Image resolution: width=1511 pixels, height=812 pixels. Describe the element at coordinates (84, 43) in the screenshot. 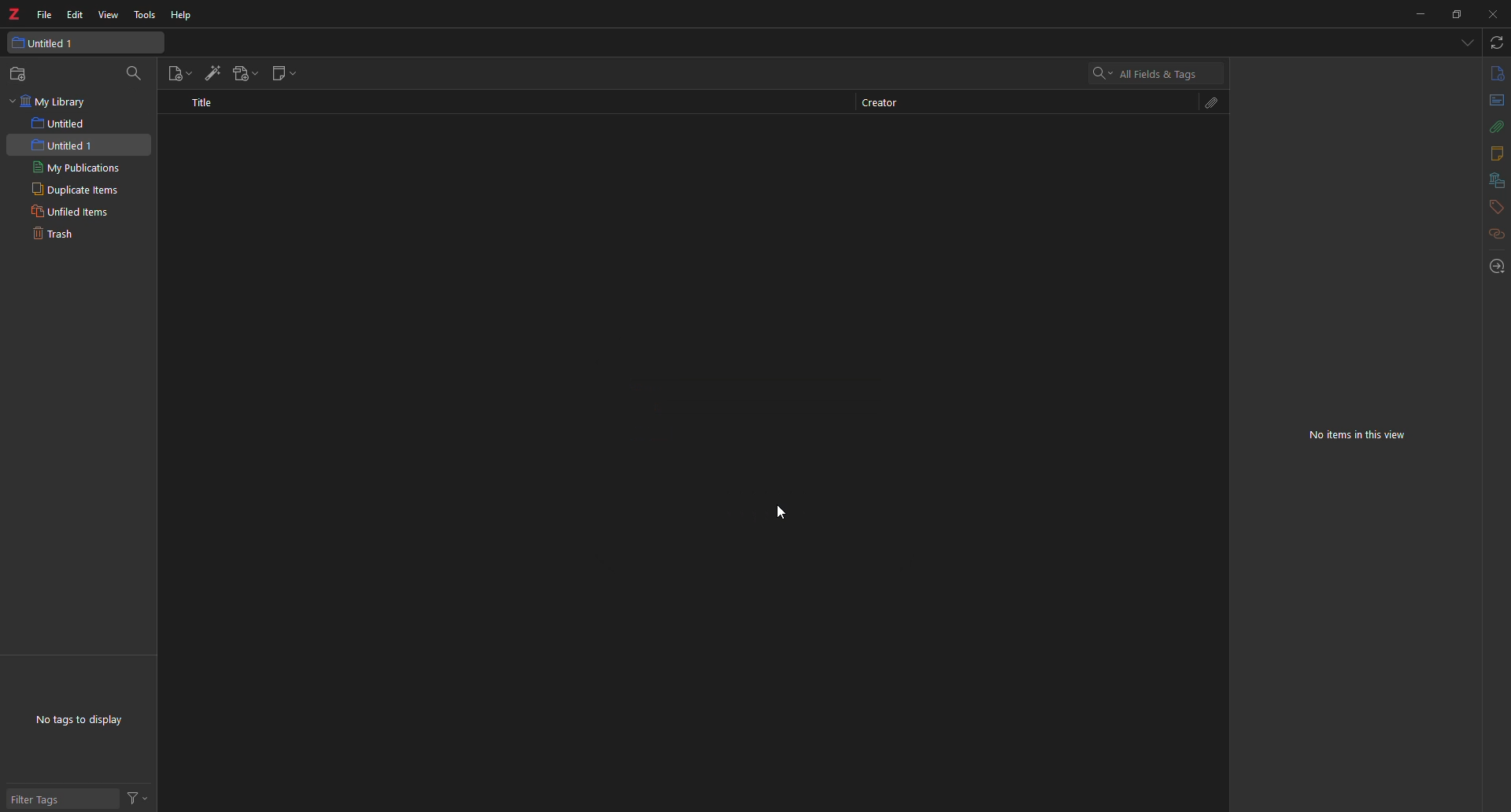

I see `Untitled 1` at that location.